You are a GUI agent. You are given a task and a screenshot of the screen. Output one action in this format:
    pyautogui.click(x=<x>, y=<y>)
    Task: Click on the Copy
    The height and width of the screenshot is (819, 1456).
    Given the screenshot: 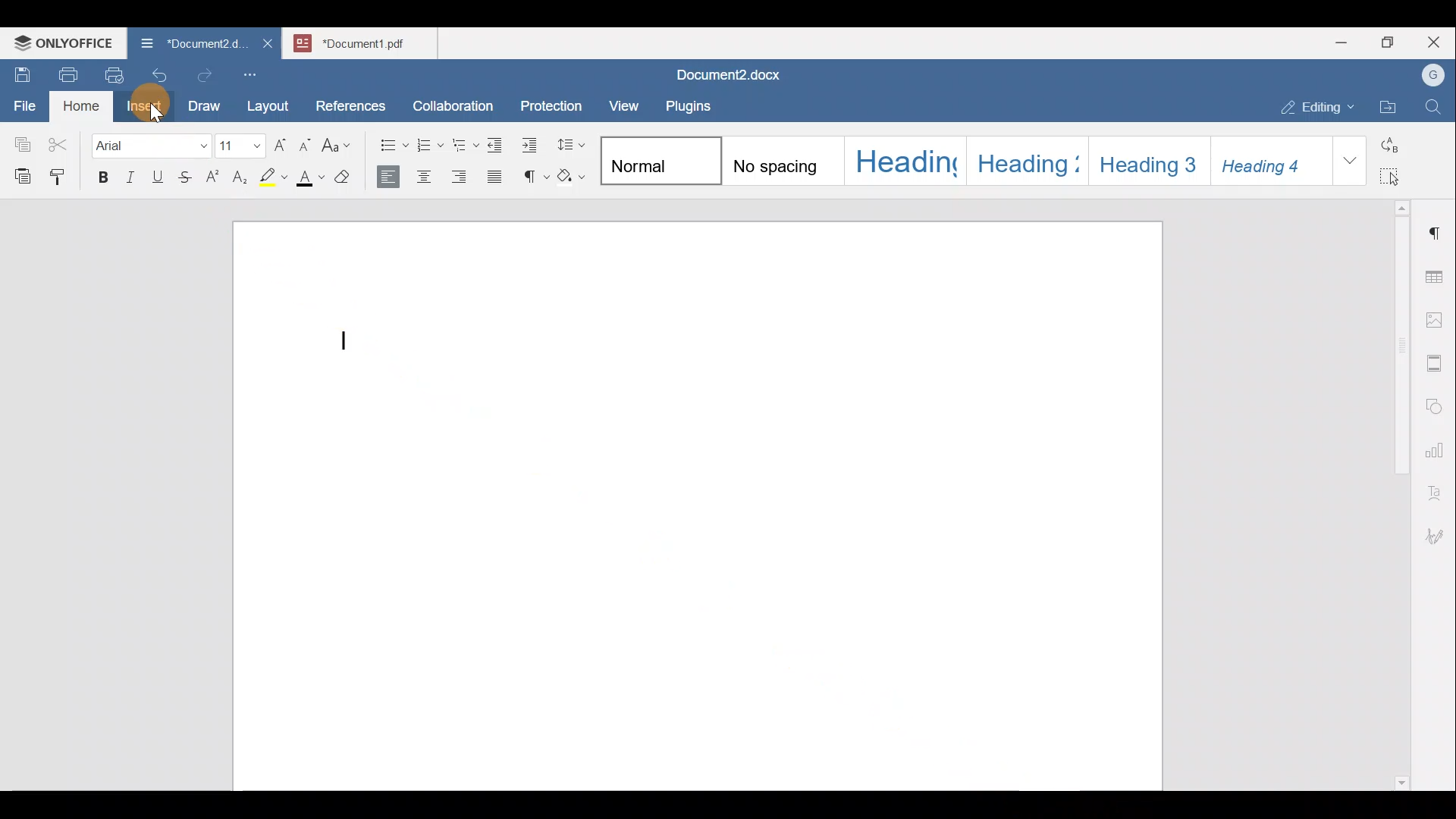 What is the action you would take?
    pyautogui.click(x=20, y=140)
    